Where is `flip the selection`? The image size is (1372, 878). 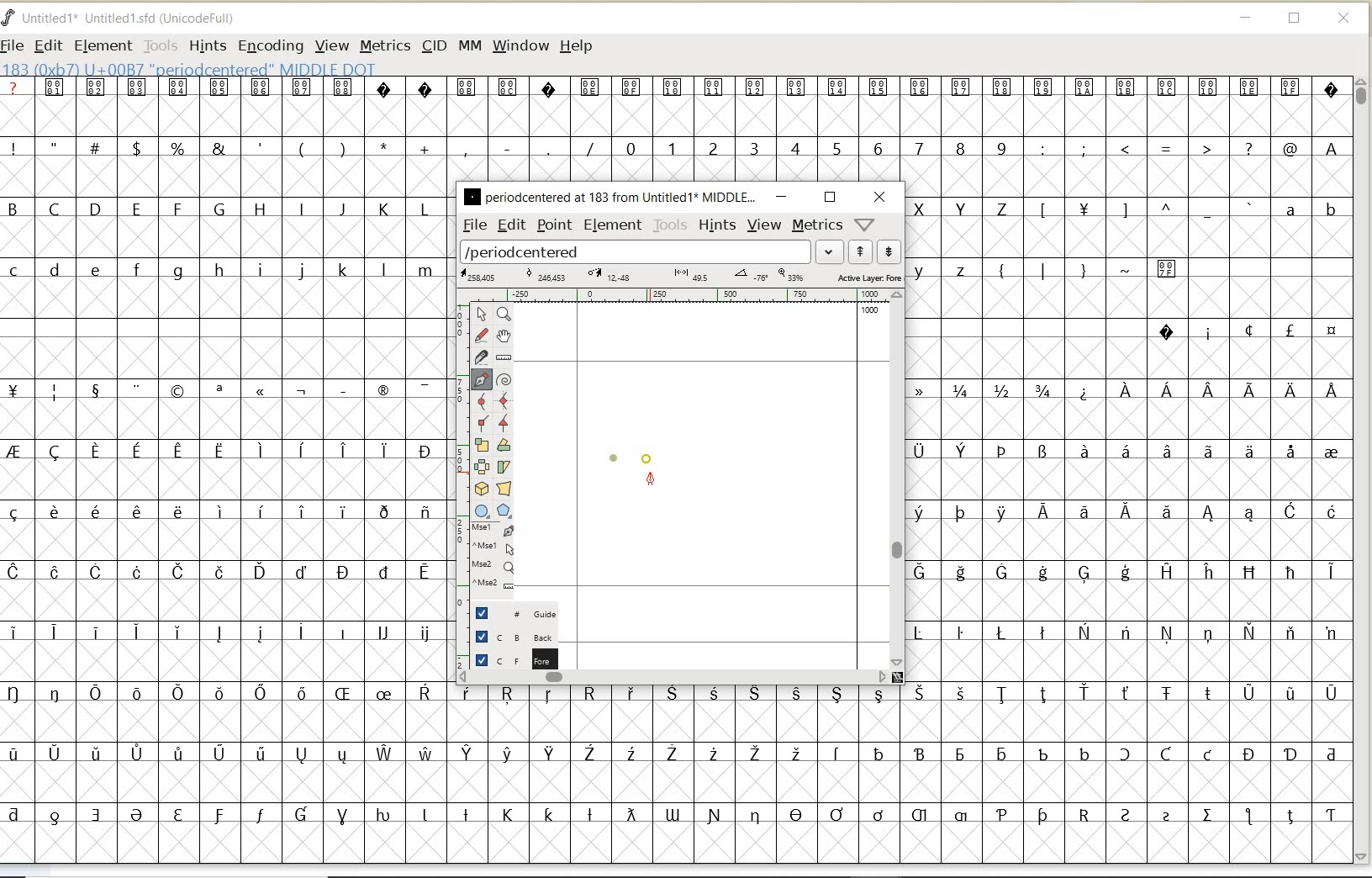
flip the selection is located at coordinates (483, 467).